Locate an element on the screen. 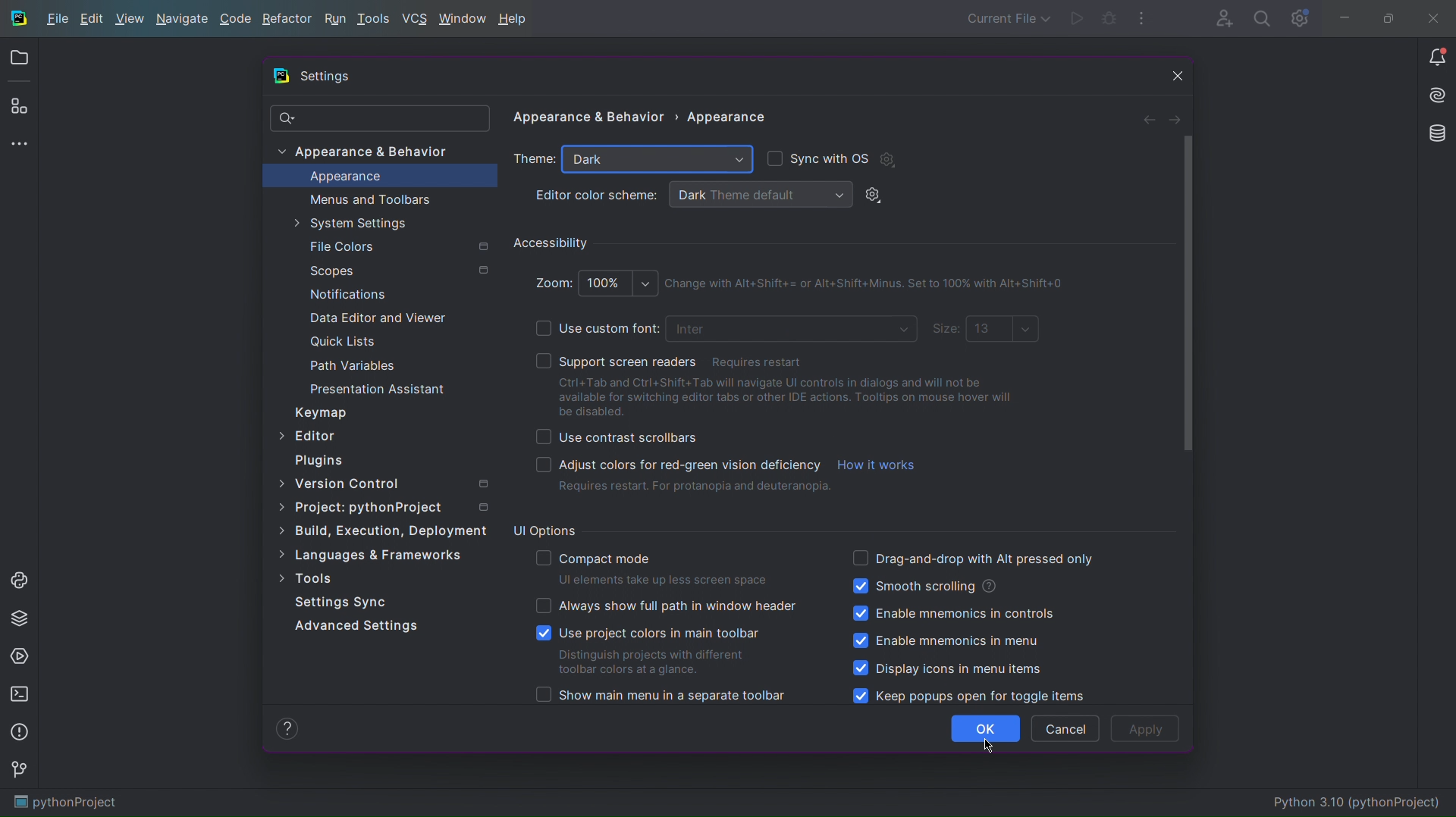 Image resolution: width=1456 pixels, height=817 pixels. Python Console is located at coordinates (20, 578).